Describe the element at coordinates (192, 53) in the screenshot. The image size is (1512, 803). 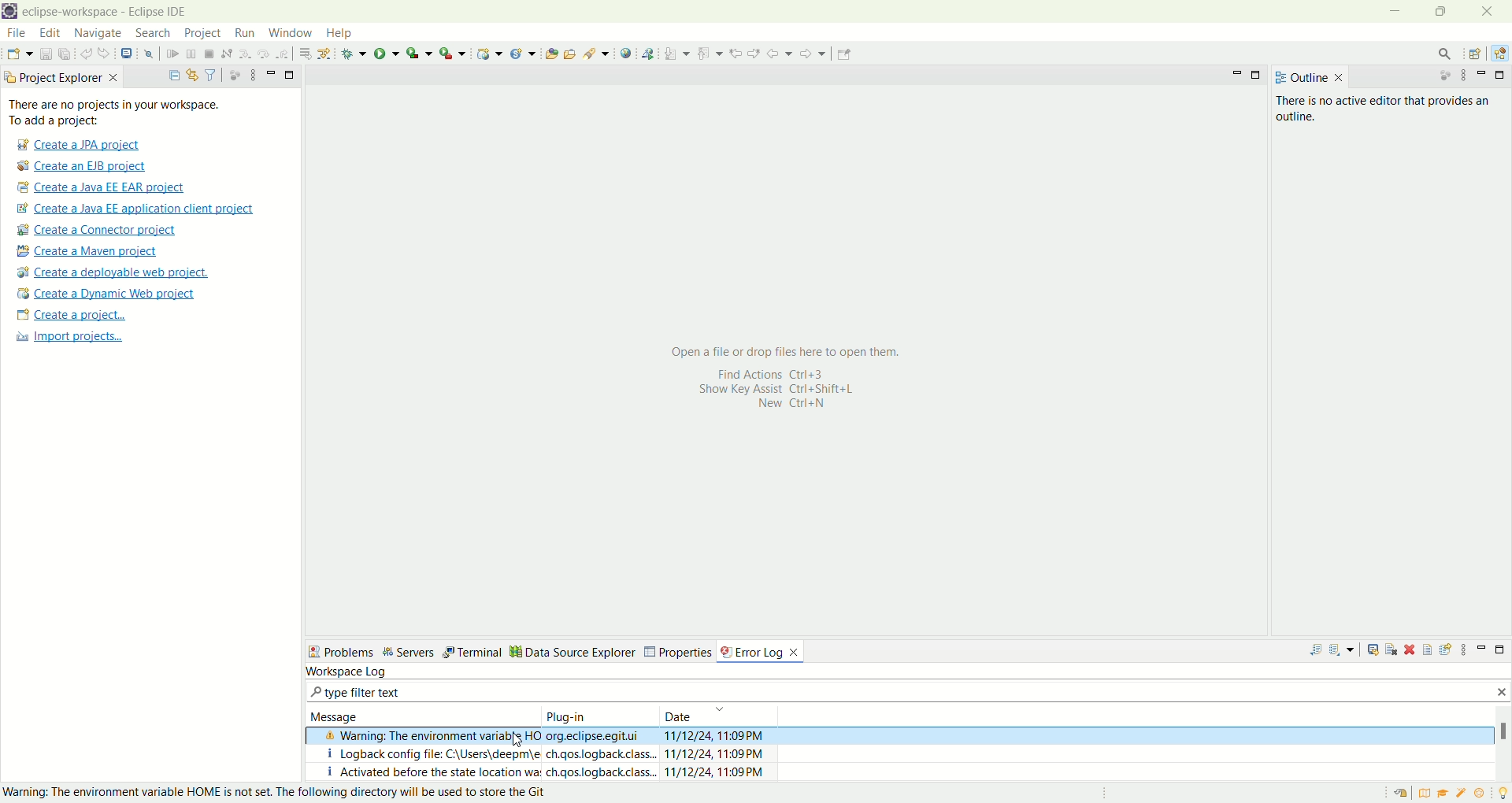
I see `suspend` at that location.